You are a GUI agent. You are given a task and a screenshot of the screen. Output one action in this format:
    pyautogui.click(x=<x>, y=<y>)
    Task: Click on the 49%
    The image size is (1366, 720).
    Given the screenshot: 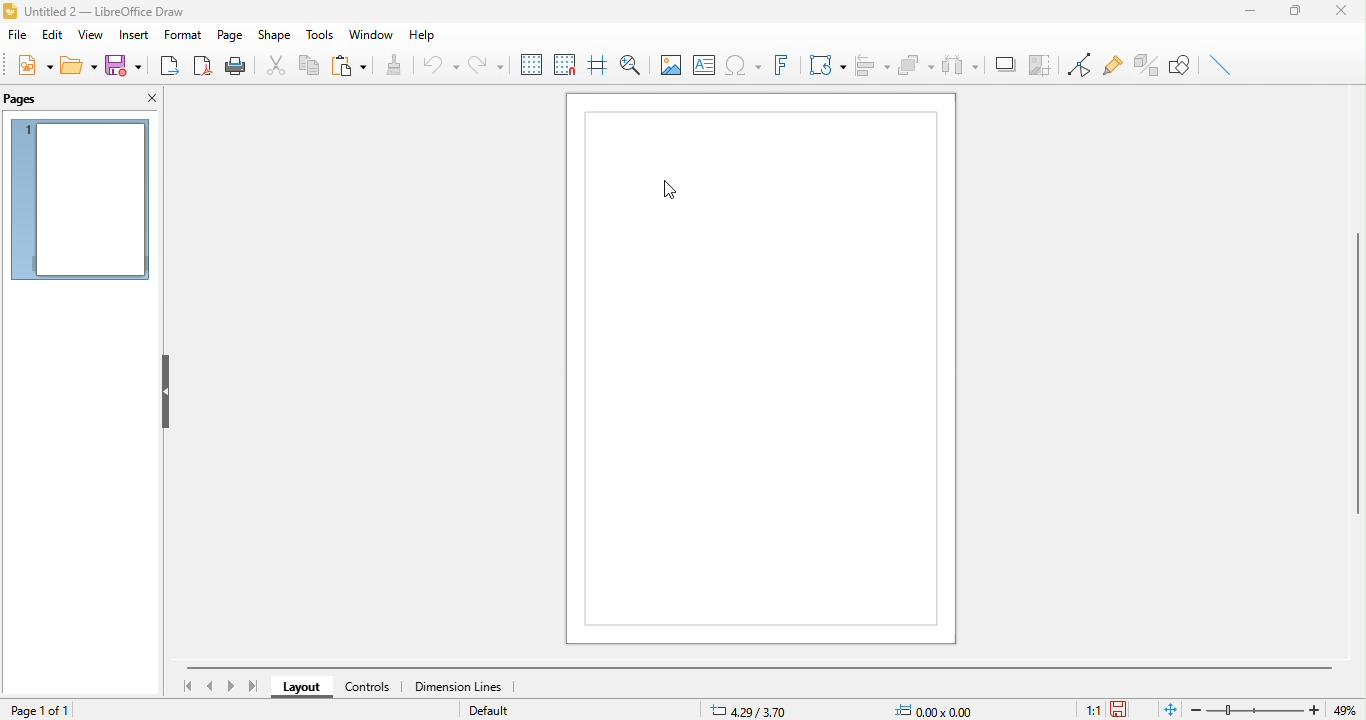 What is the action you would take?
    pyautogui.click(x=1350, y=709)
    